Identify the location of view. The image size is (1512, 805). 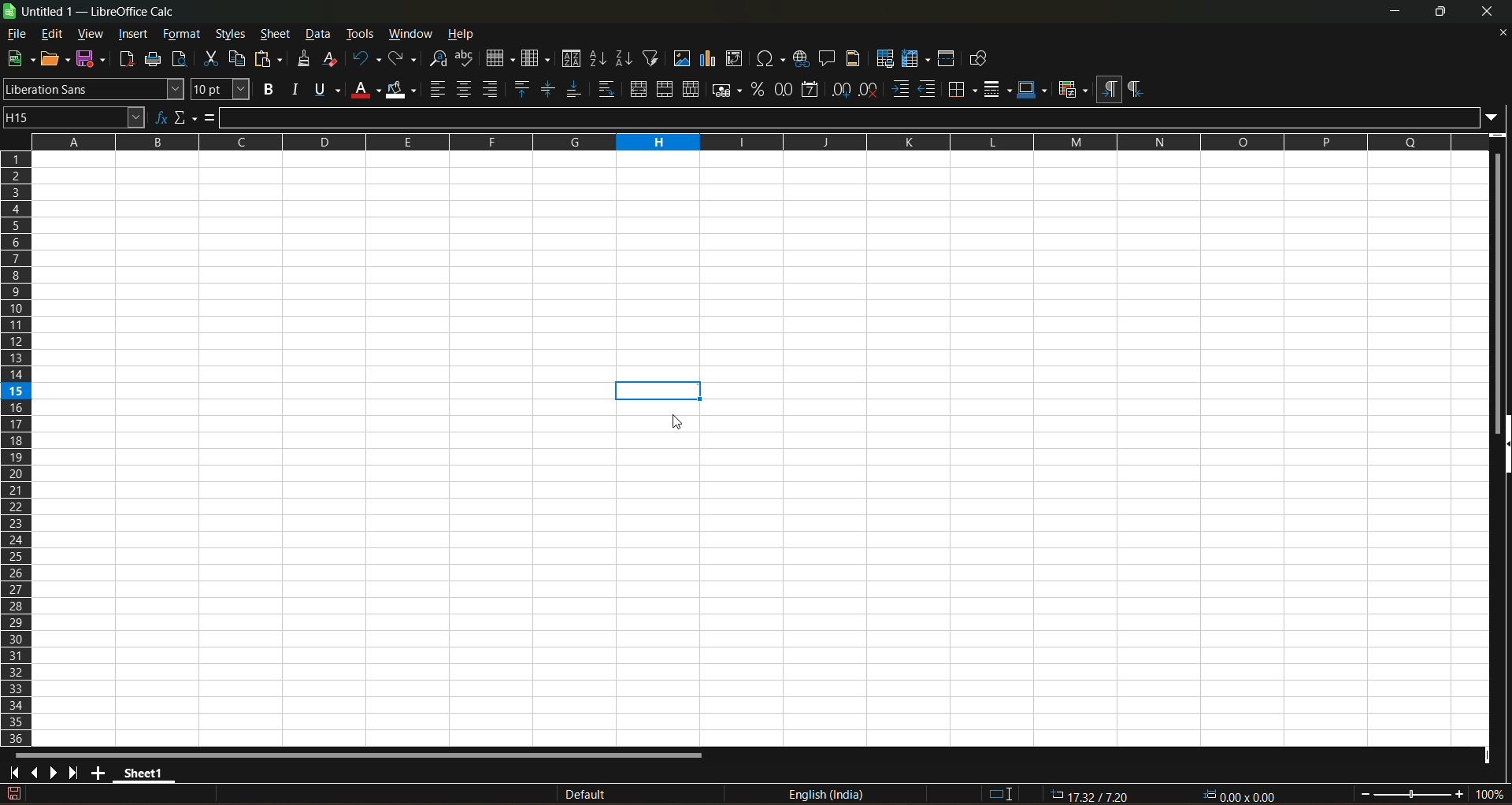
(89, 34).